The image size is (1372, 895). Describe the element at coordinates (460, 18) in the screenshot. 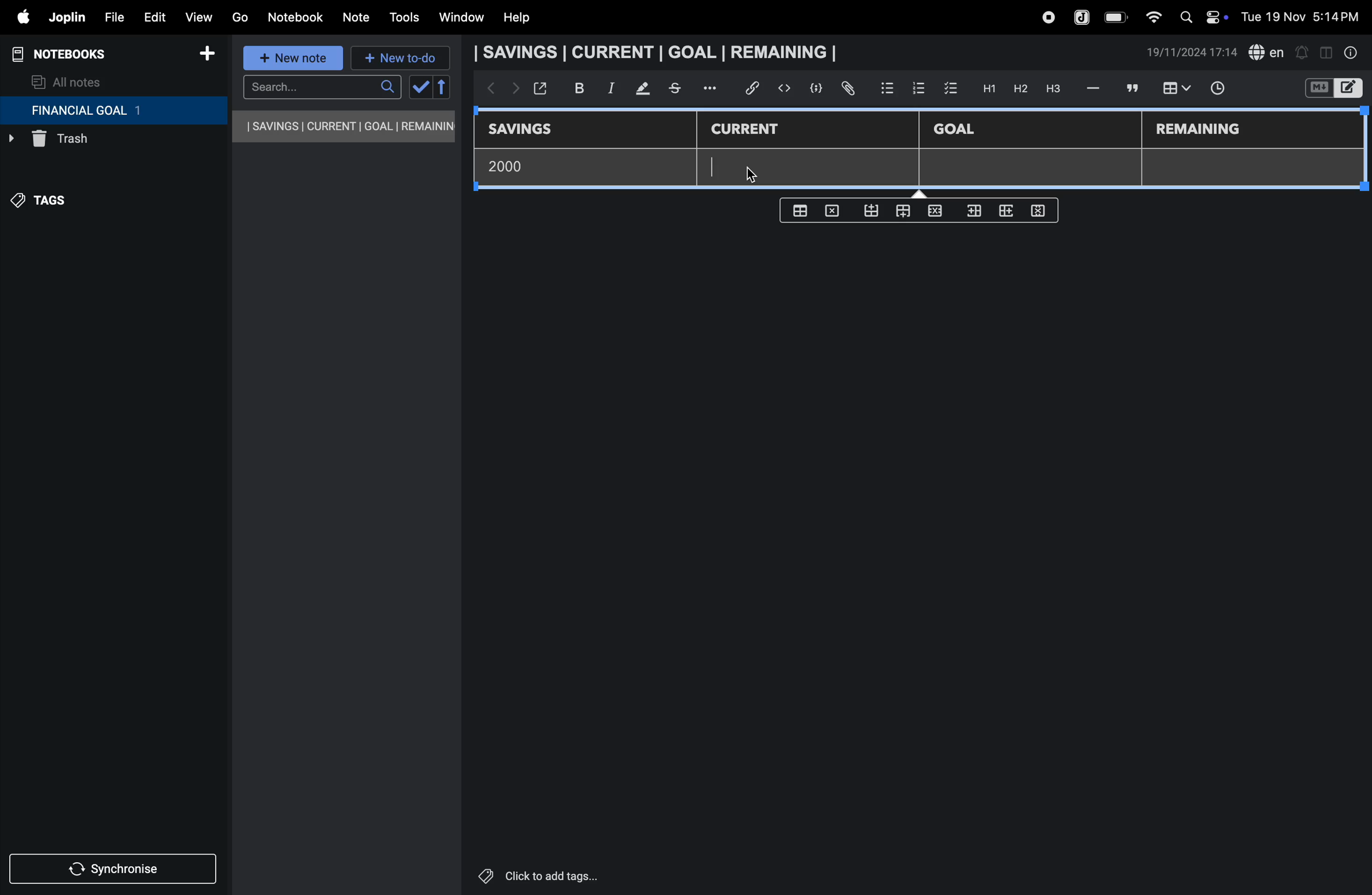

I see `window` at that location.